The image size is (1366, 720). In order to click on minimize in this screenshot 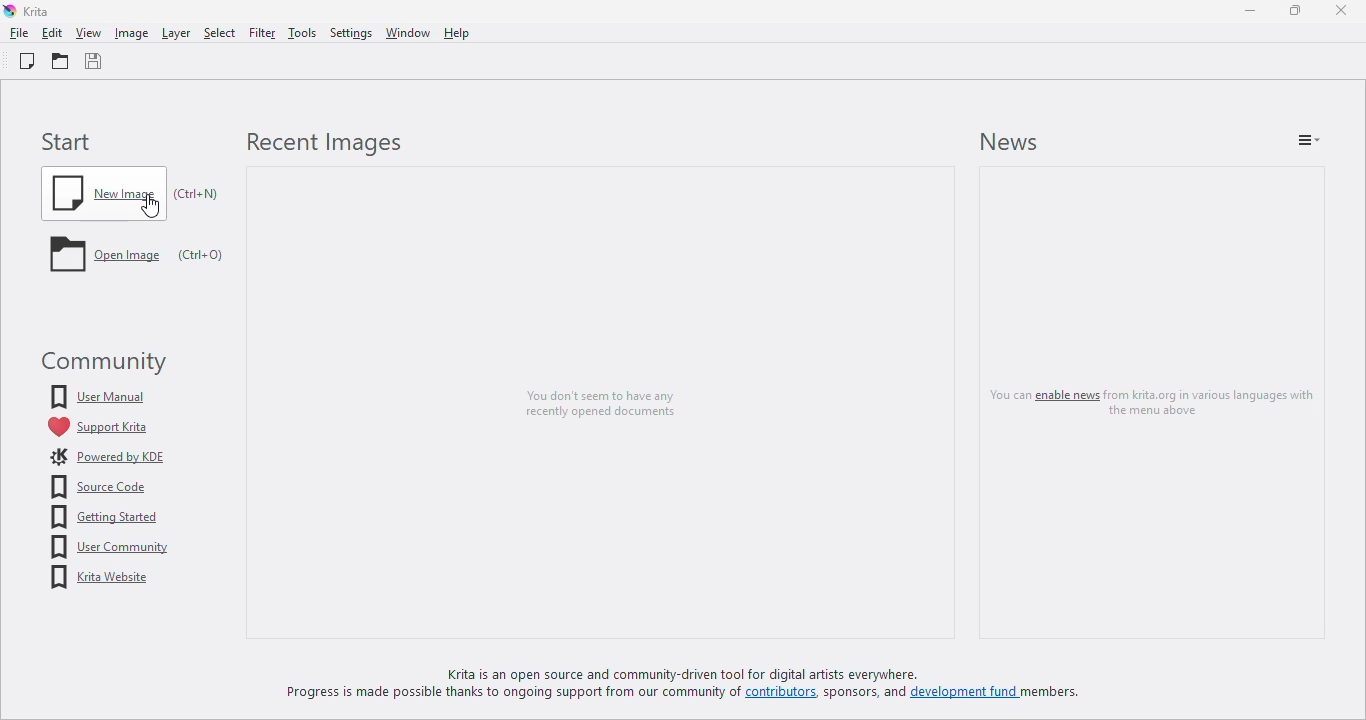, I will do `click(1251, 10)`.